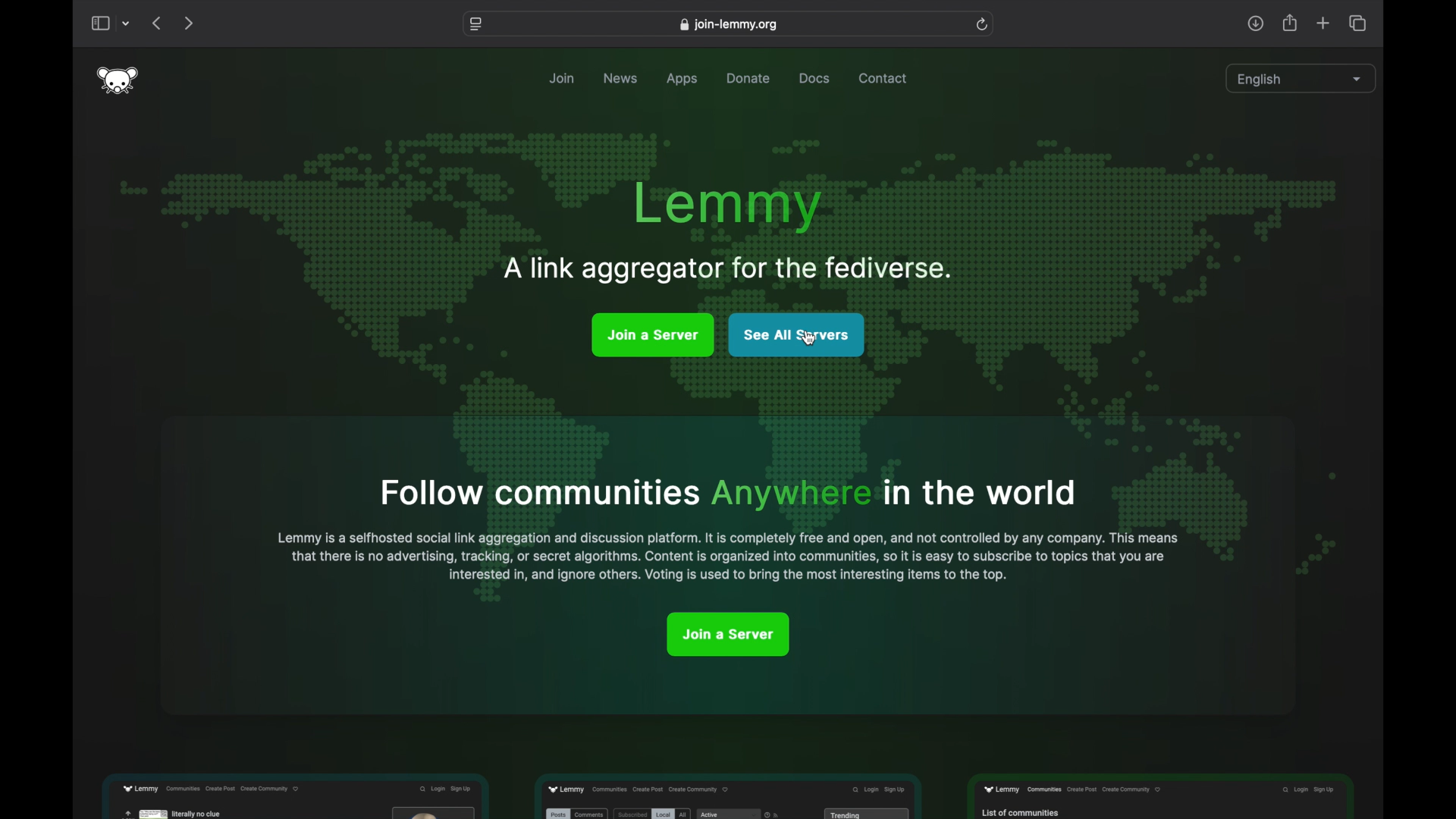  Describe the element at coordinates (728, 26) in the screenshot. I see `web address` at that location.